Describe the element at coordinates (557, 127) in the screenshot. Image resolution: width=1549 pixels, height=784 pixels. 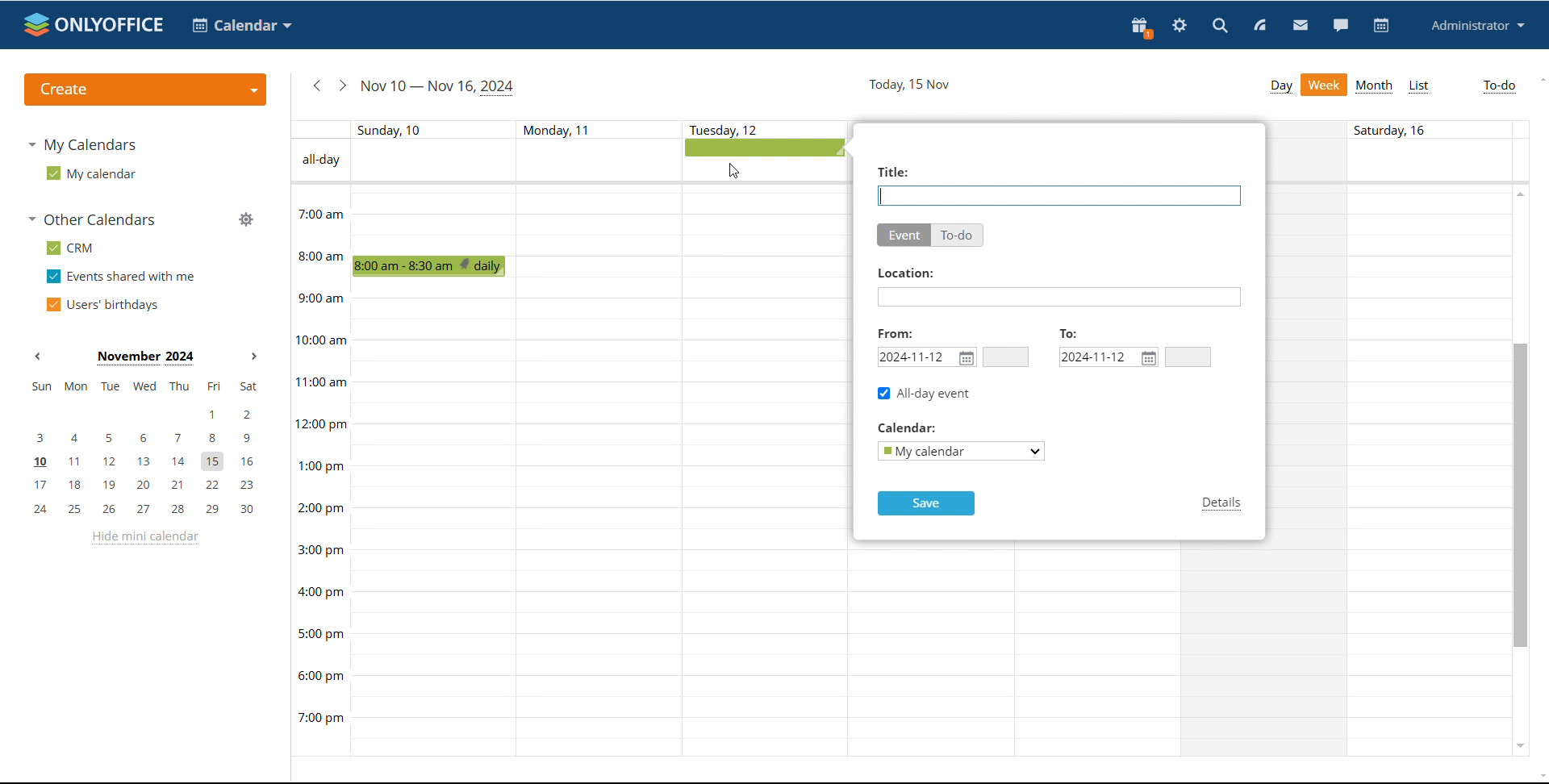
I see `text` at that location.